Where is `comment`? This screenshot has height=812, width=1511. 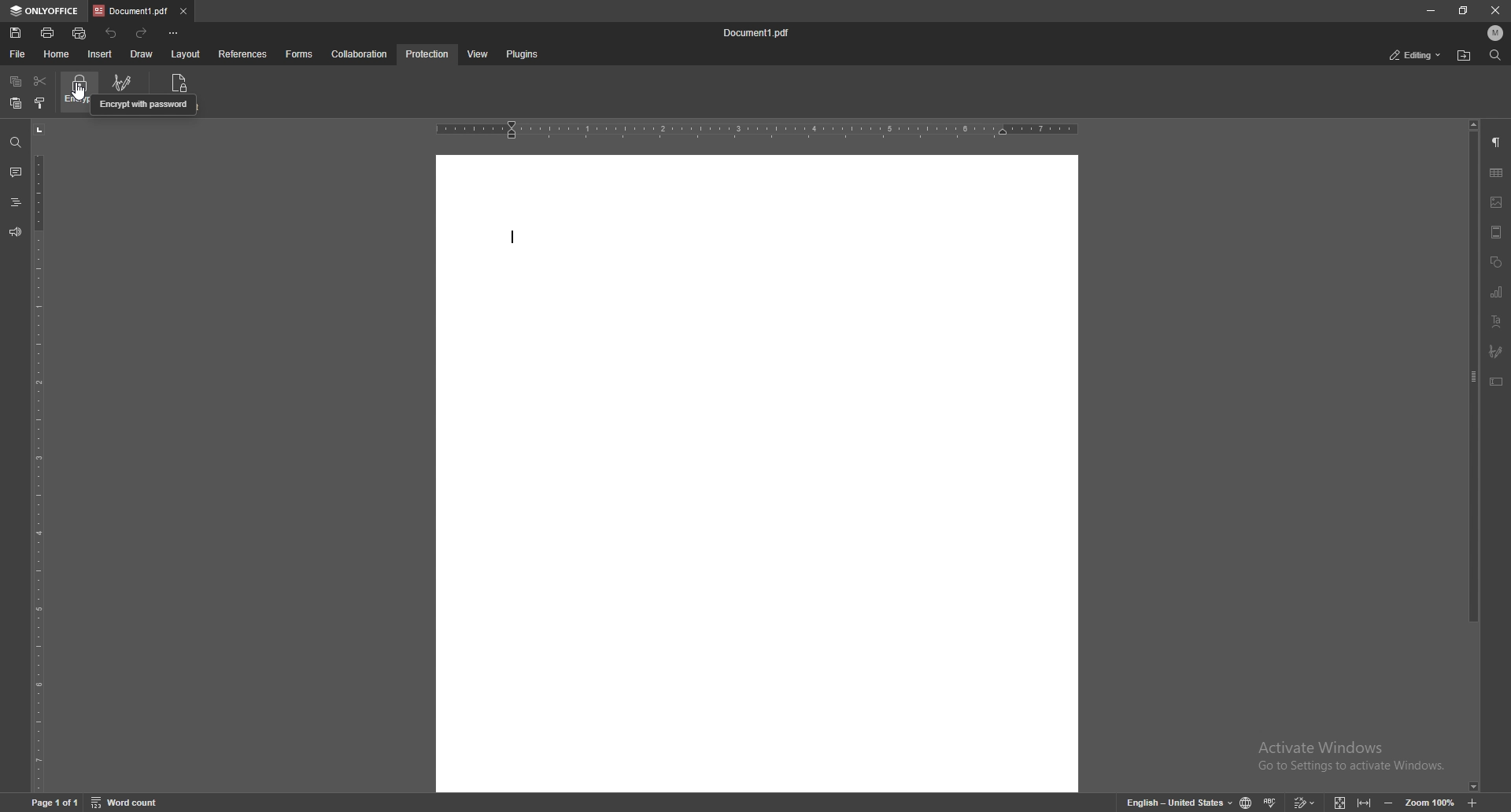 comment is located at coordinates (16, 172).